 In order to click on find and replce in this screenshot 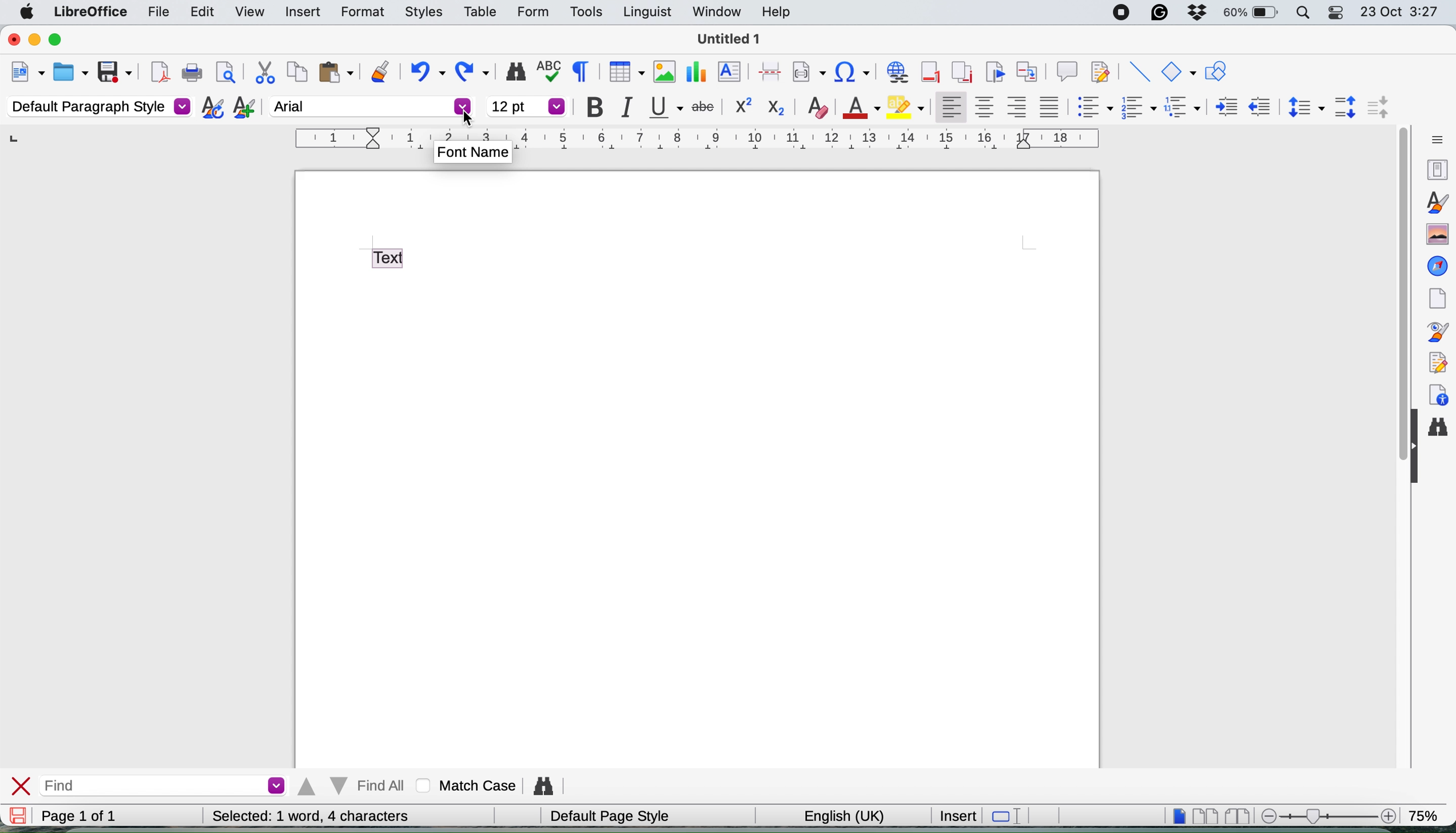, I will do `click(541, 786)`.